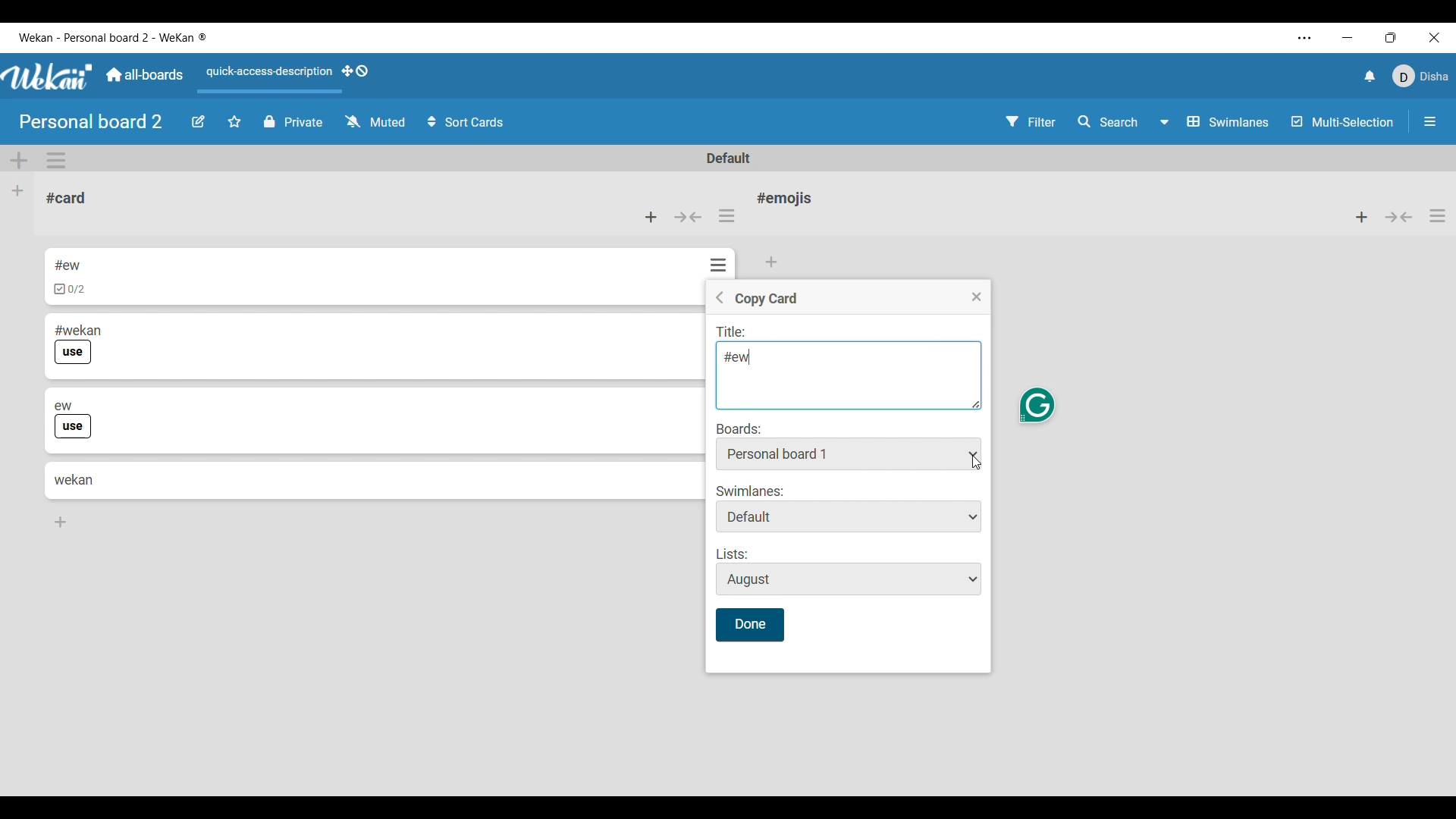 The image size is (1456, 819). Describe the element at coordinates (1342, 121) in the screenshot. I see `Toggle for multi-selection` at that location.